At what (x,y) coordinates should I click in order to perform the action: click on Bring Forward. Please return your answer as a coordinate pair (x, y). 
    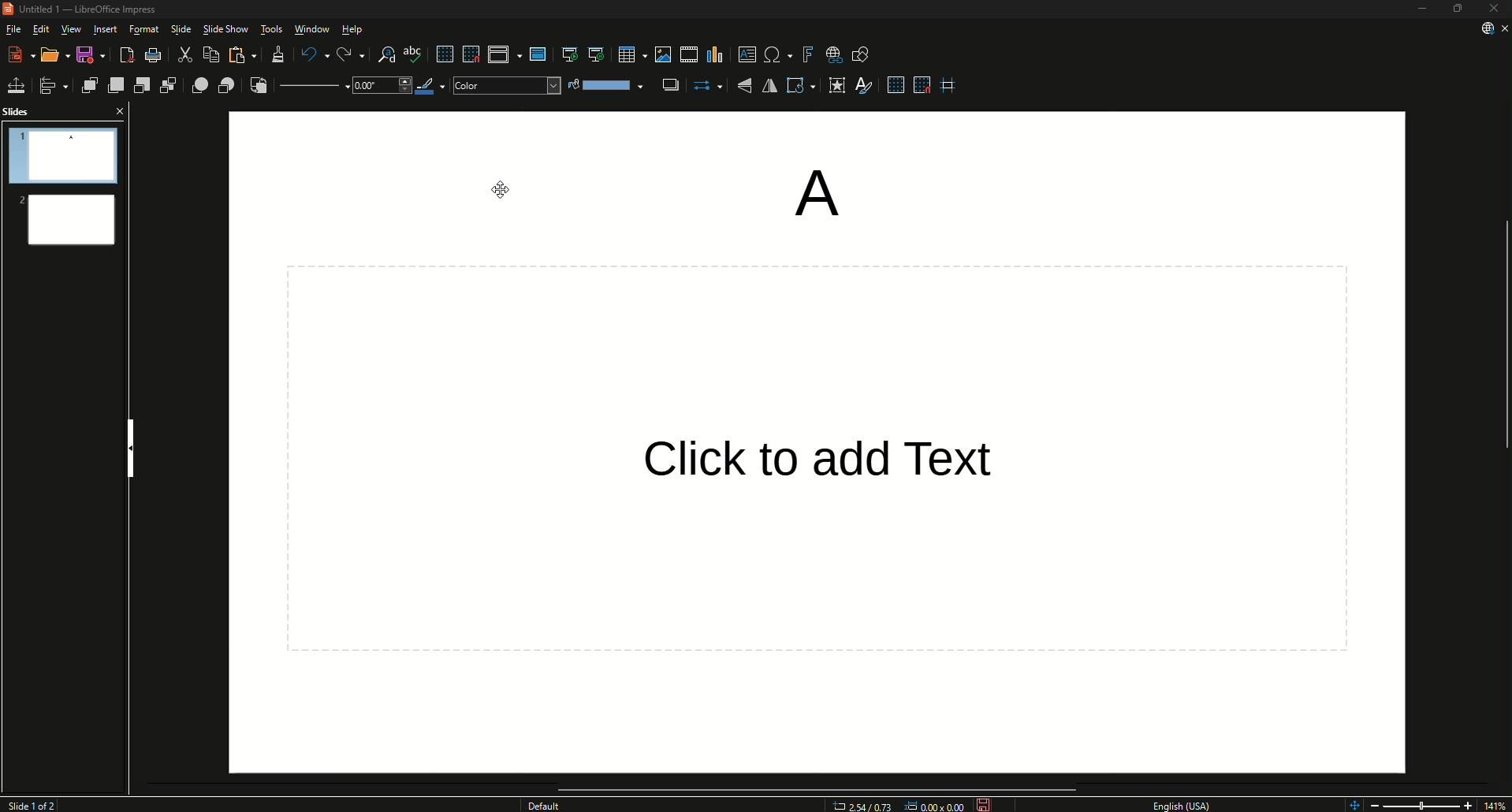
    Looking at the image, I should click on (114, 85).